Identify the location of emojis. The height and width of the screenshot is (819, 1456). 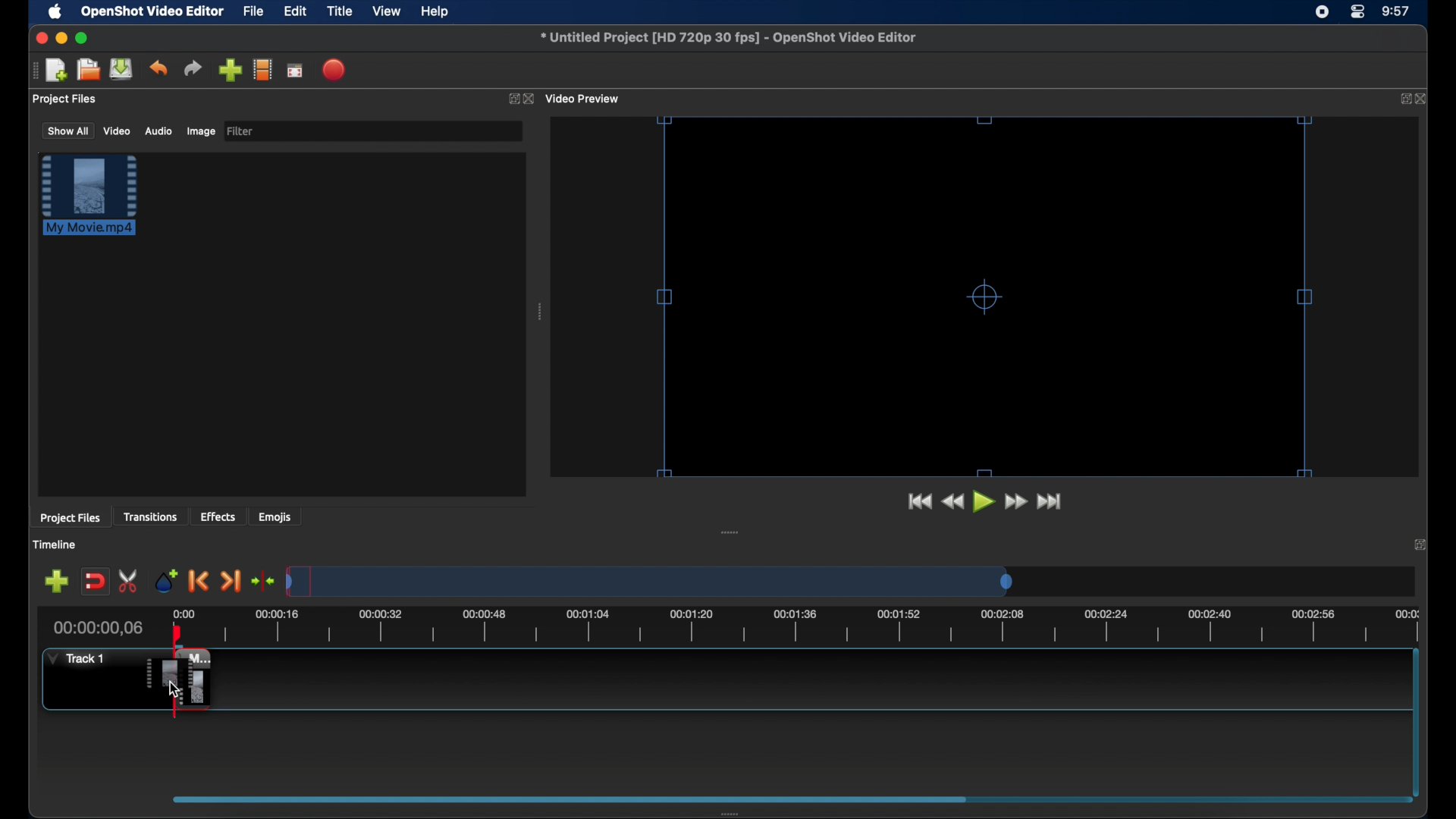
(275, 516).